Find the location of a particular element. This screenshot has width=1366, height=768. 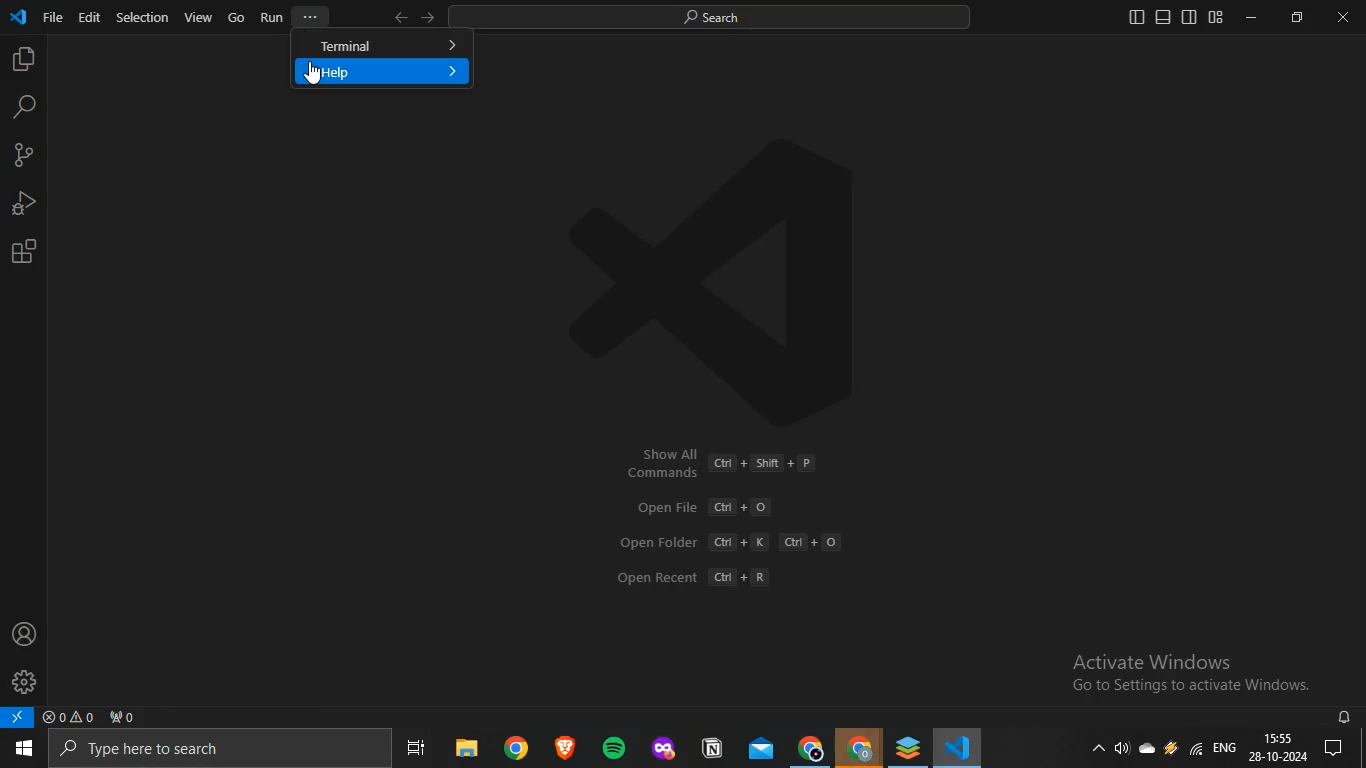

notifications is located at coordinates (1342, 749).